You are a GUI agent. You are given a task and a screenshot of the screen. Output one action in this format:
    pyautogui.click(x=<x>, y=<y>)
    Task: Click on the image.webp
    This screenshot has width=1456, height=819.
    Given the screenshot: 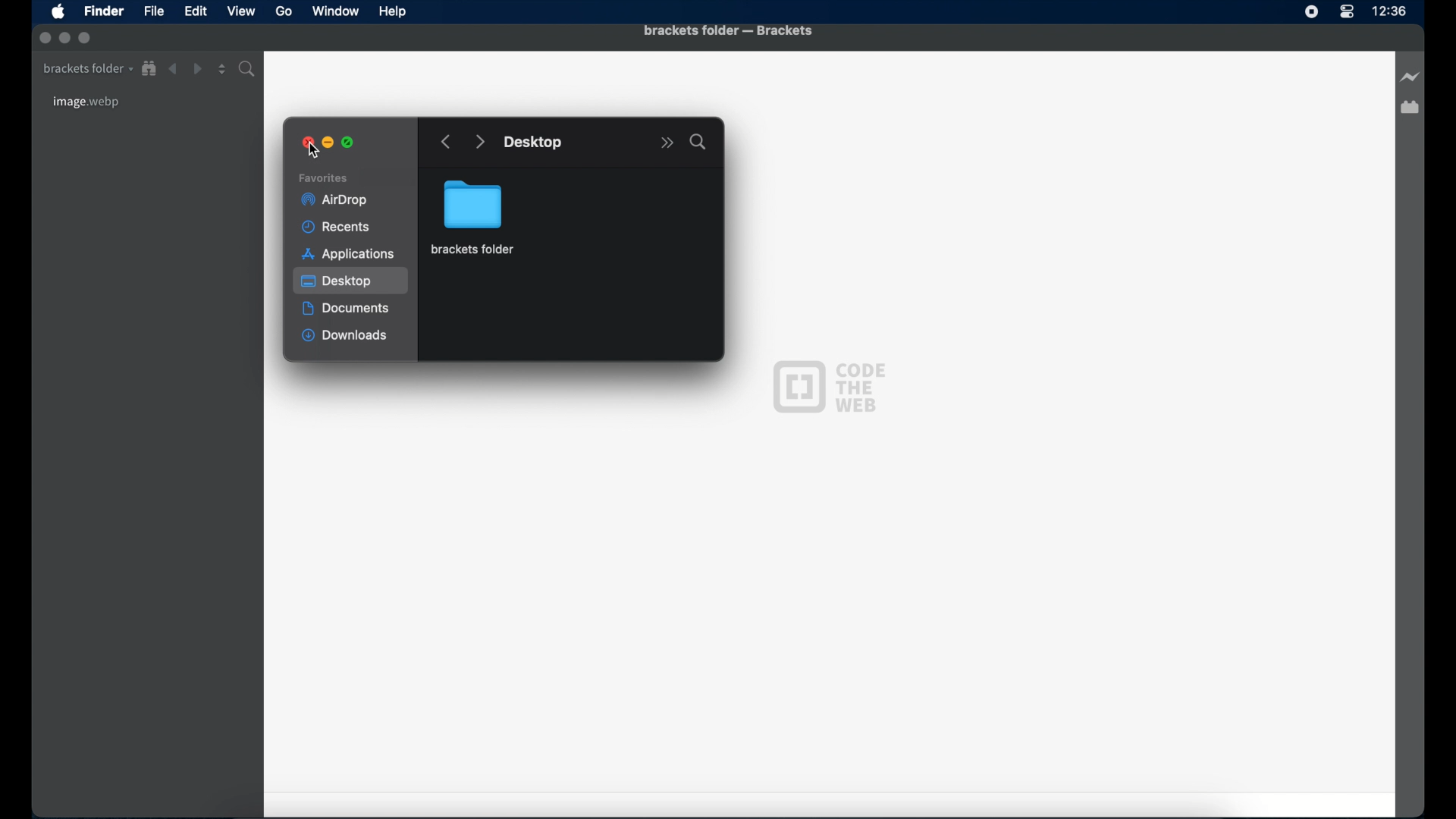 What is the action you would take?
    pyautogui.click(x=86, y=102)
    